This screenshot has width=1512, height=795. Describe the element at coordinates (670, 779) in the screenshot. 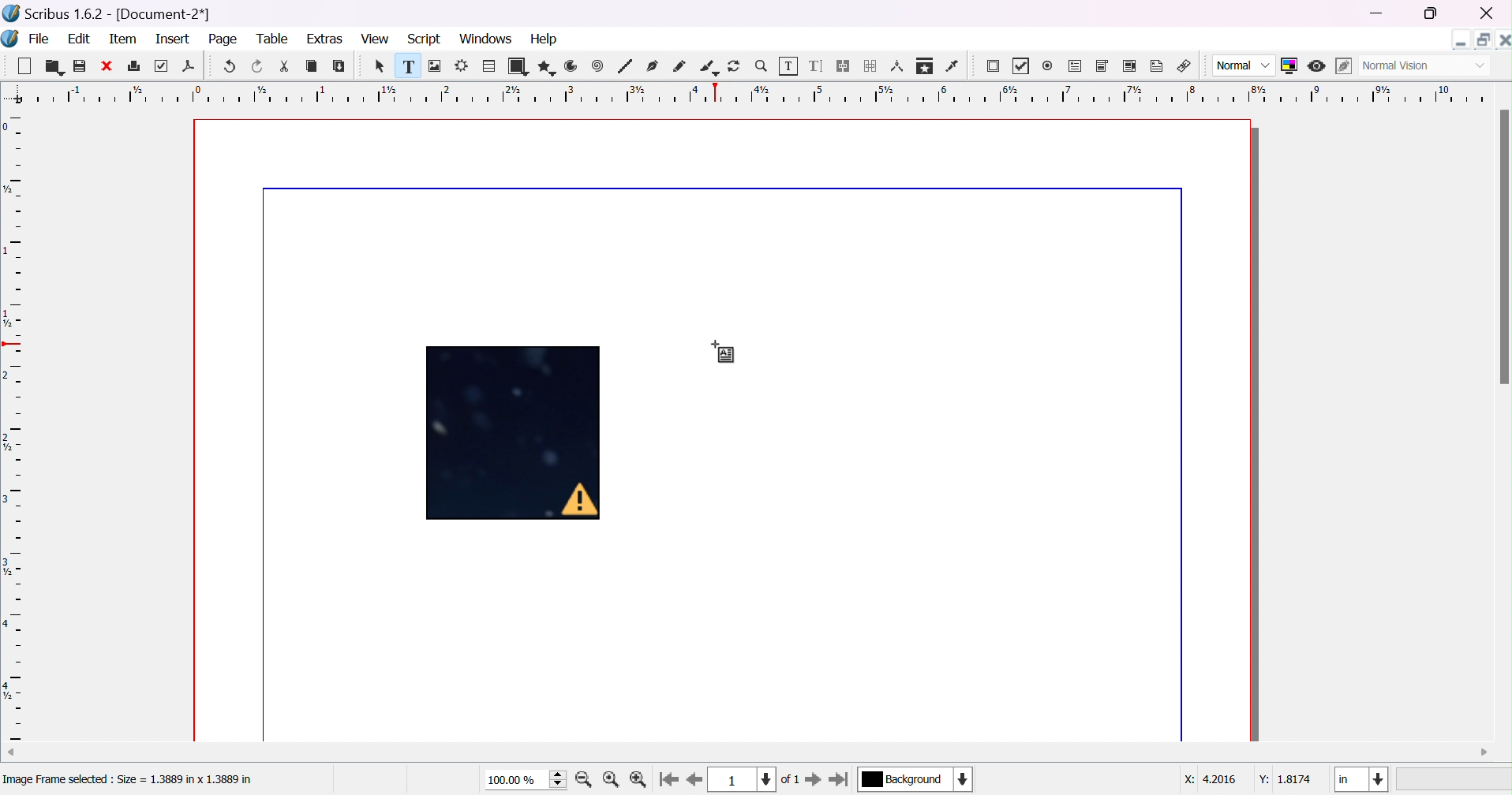

I see `go to first page` at that location.